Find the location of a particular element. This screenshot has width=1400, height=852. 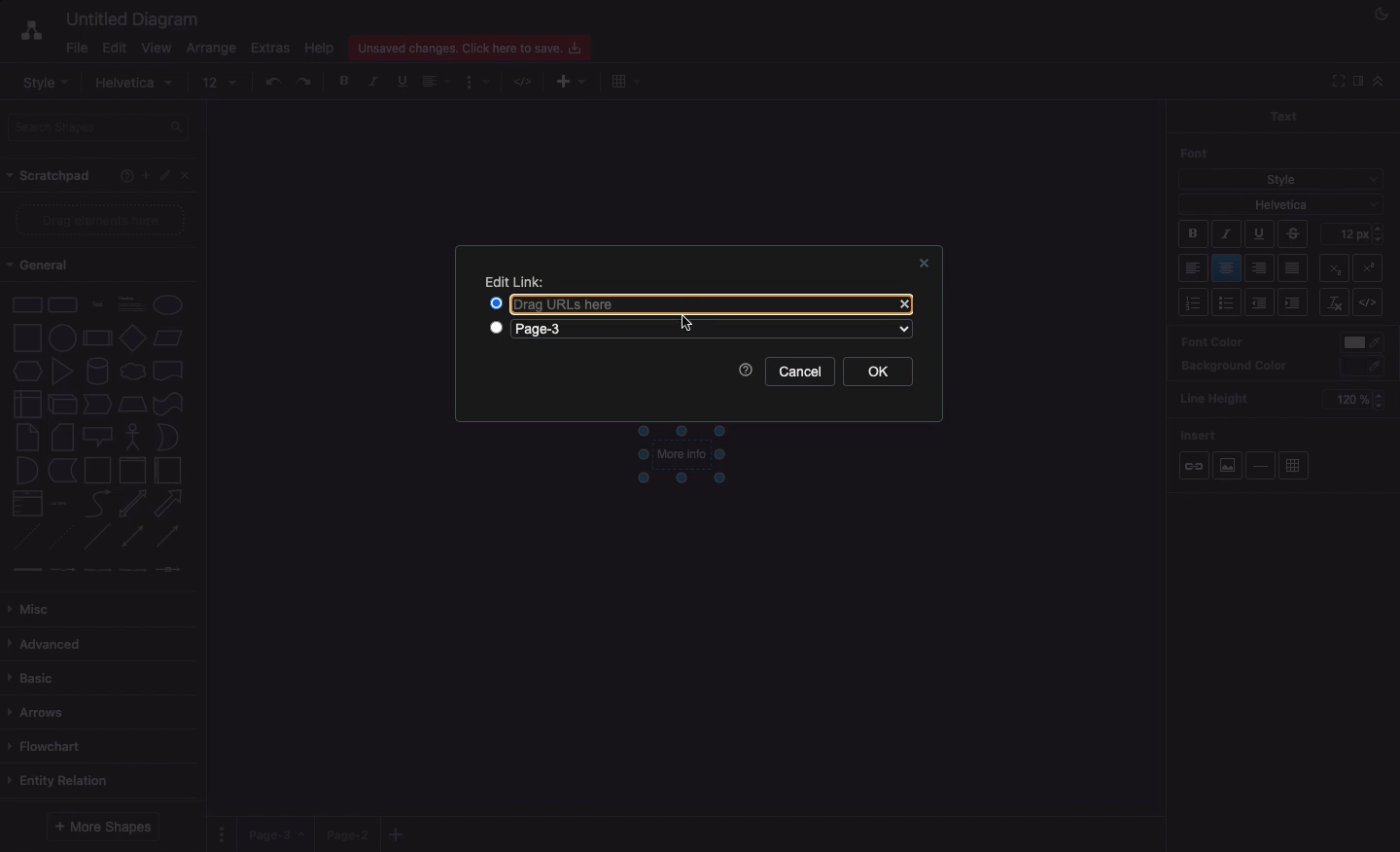

Insert is located at coordinates (1200, 432).